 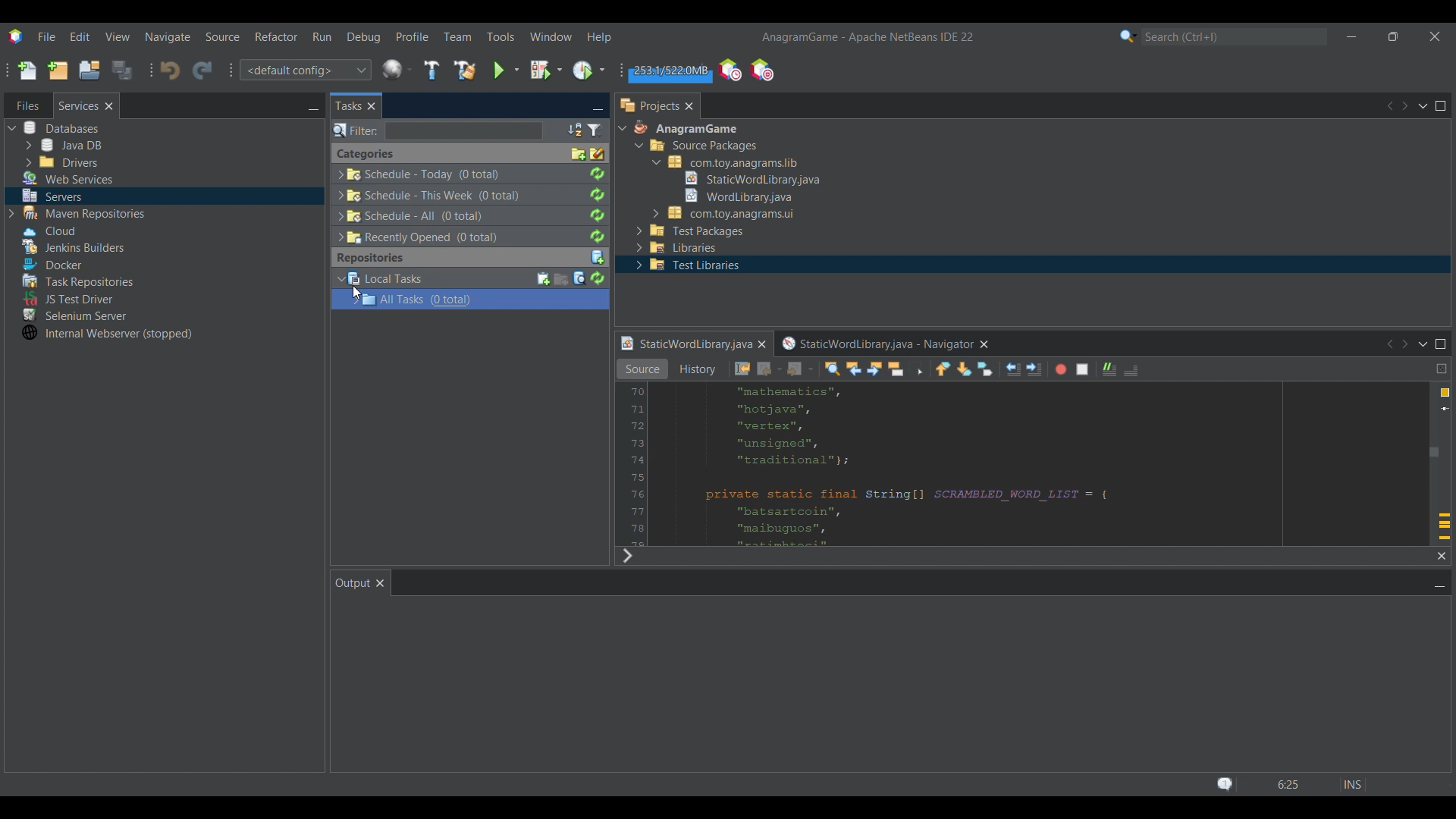 I want to click on Undo, so click(x=170, y=70).